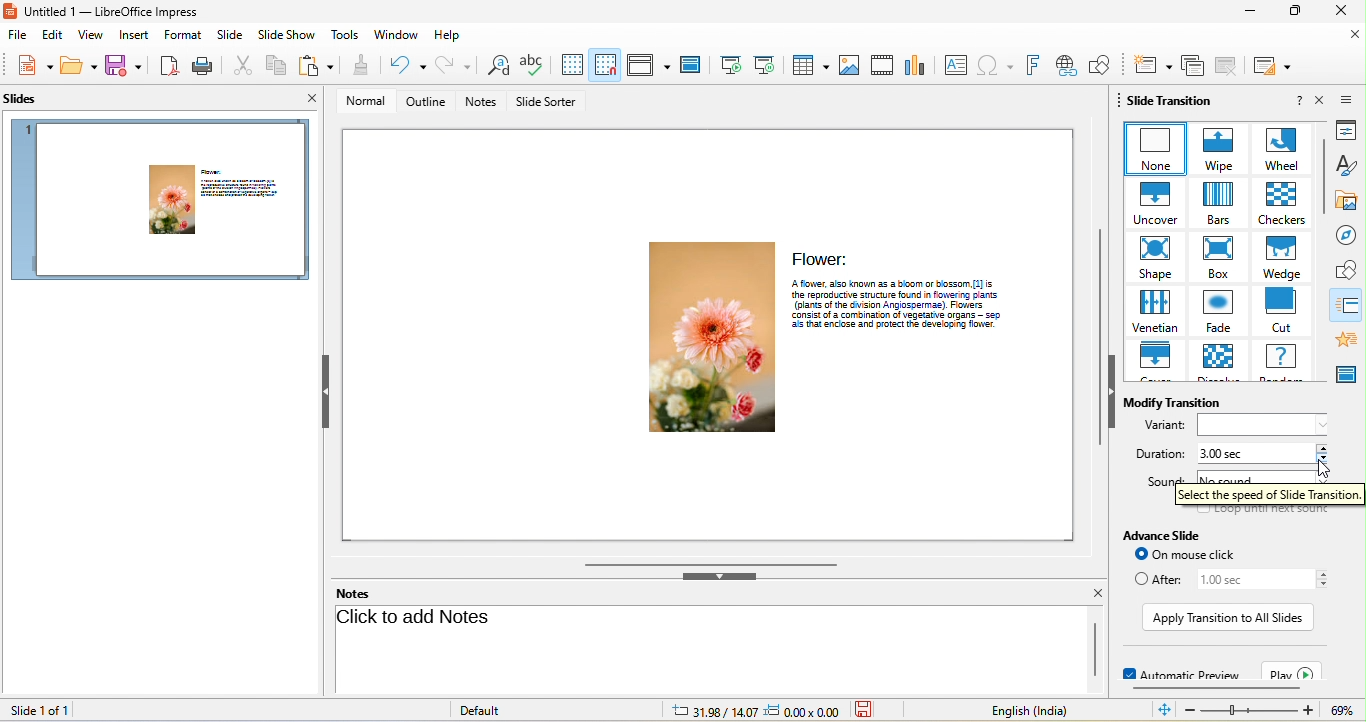  What do you see at coordinates (730, 65) in the screenshot?
I see `start from first slide` at bounding box center [730, 65].